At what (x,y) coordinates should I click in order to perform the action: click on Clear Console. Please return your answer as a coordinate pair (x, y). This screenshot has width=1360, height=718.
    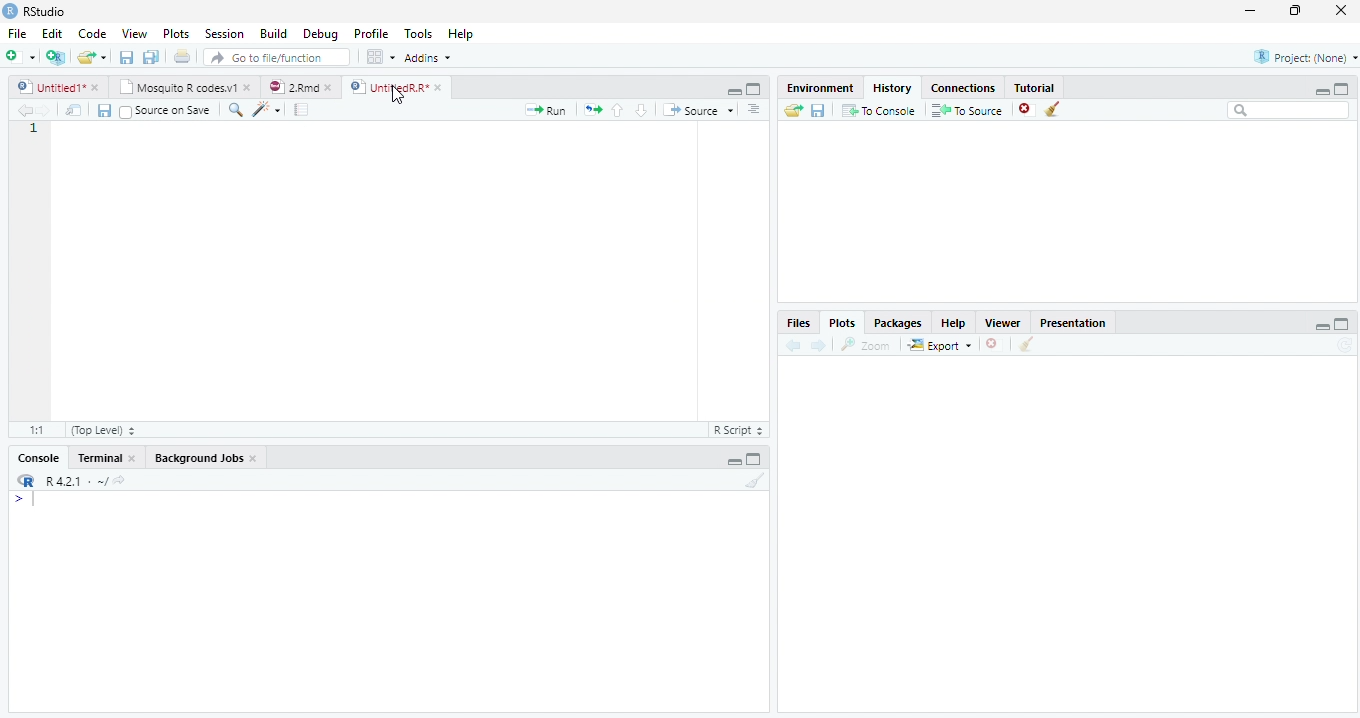
    Looking at the image, I should click on (1027, 344).